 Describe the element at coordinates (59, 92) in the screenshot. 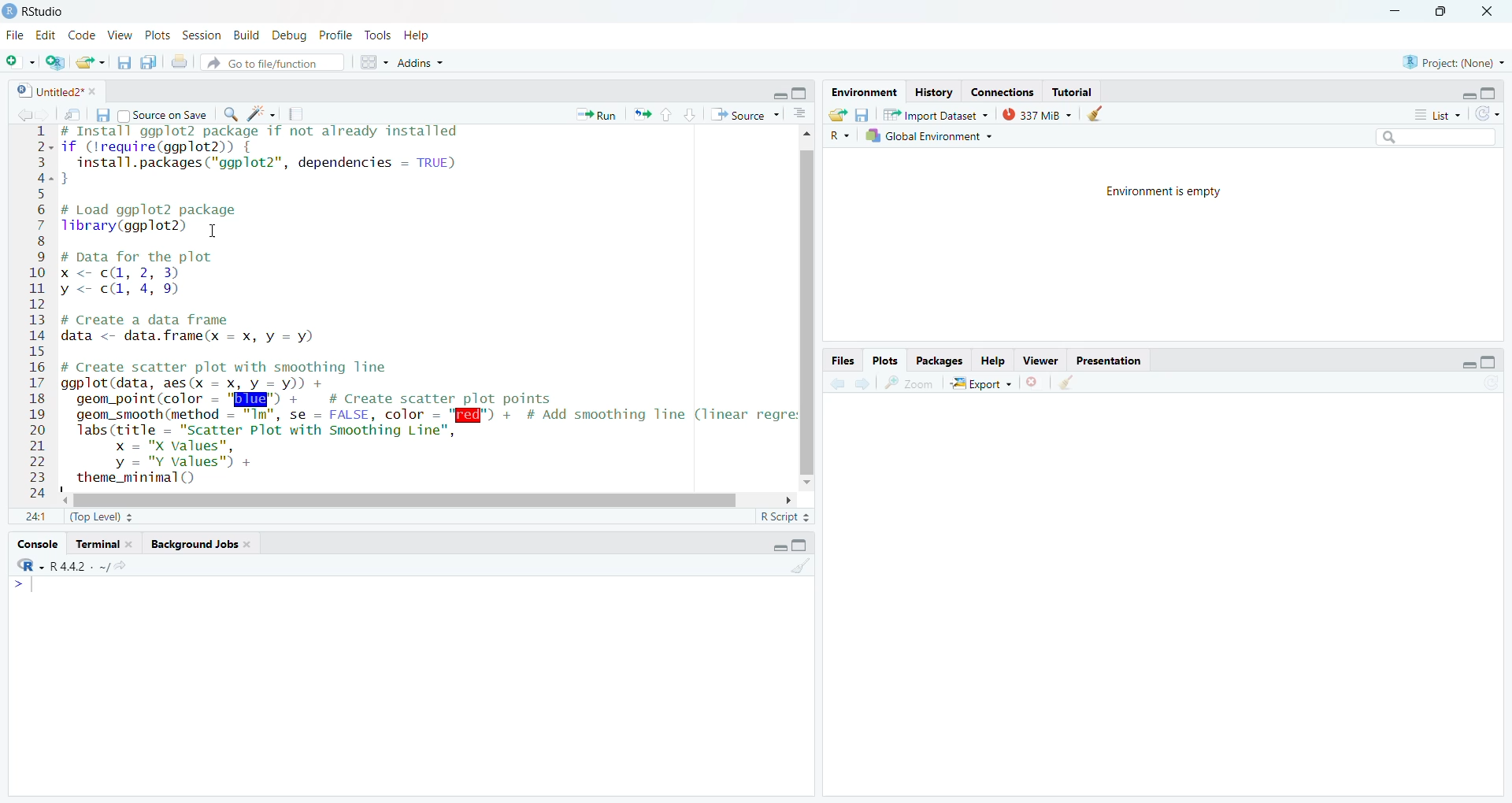

I see ` Untitled2*` at that location.